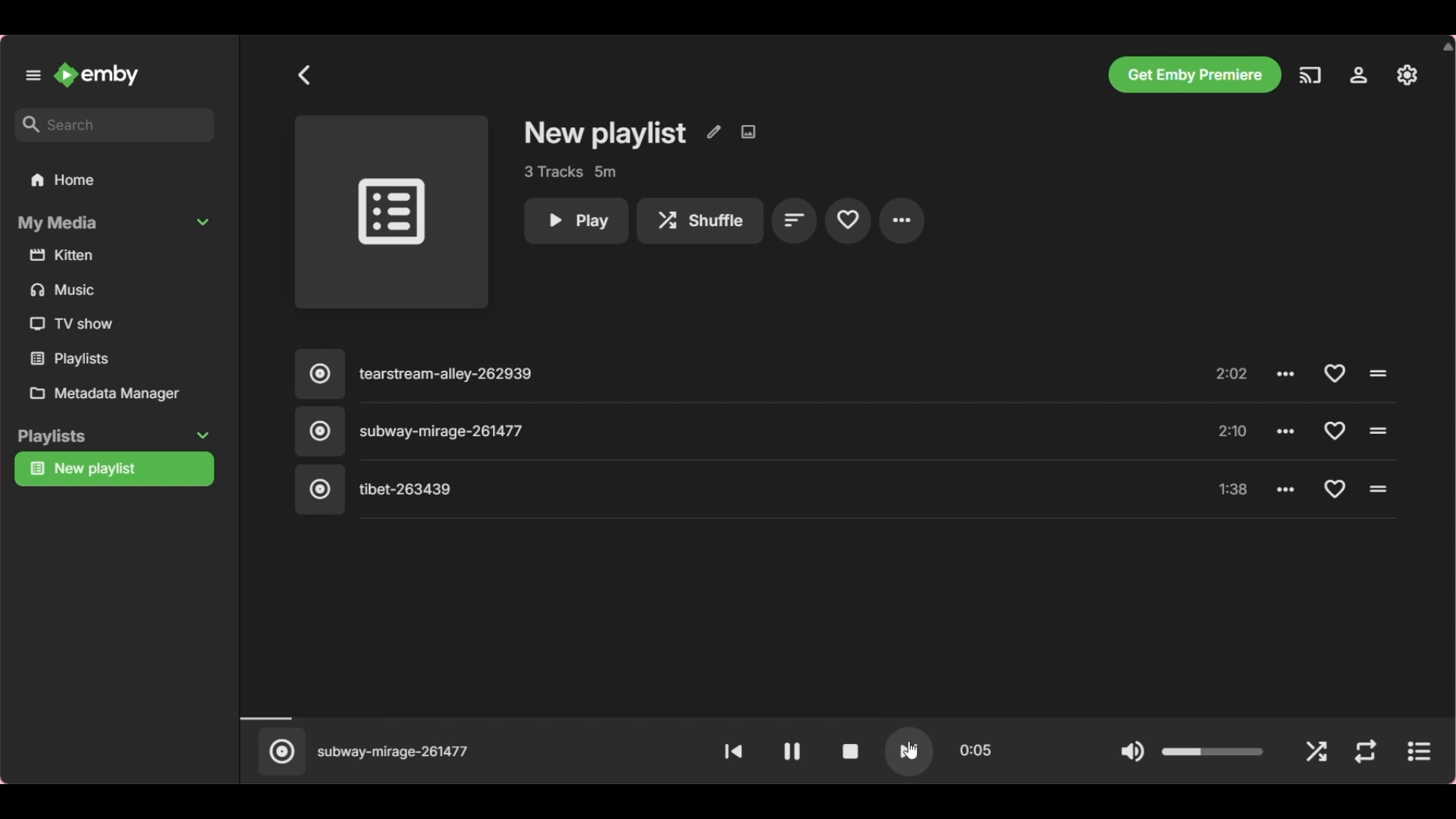  What do you see at coordinates (911, 750) in the screenshot?
I see ` play next song` at bounding box center [911, 750].